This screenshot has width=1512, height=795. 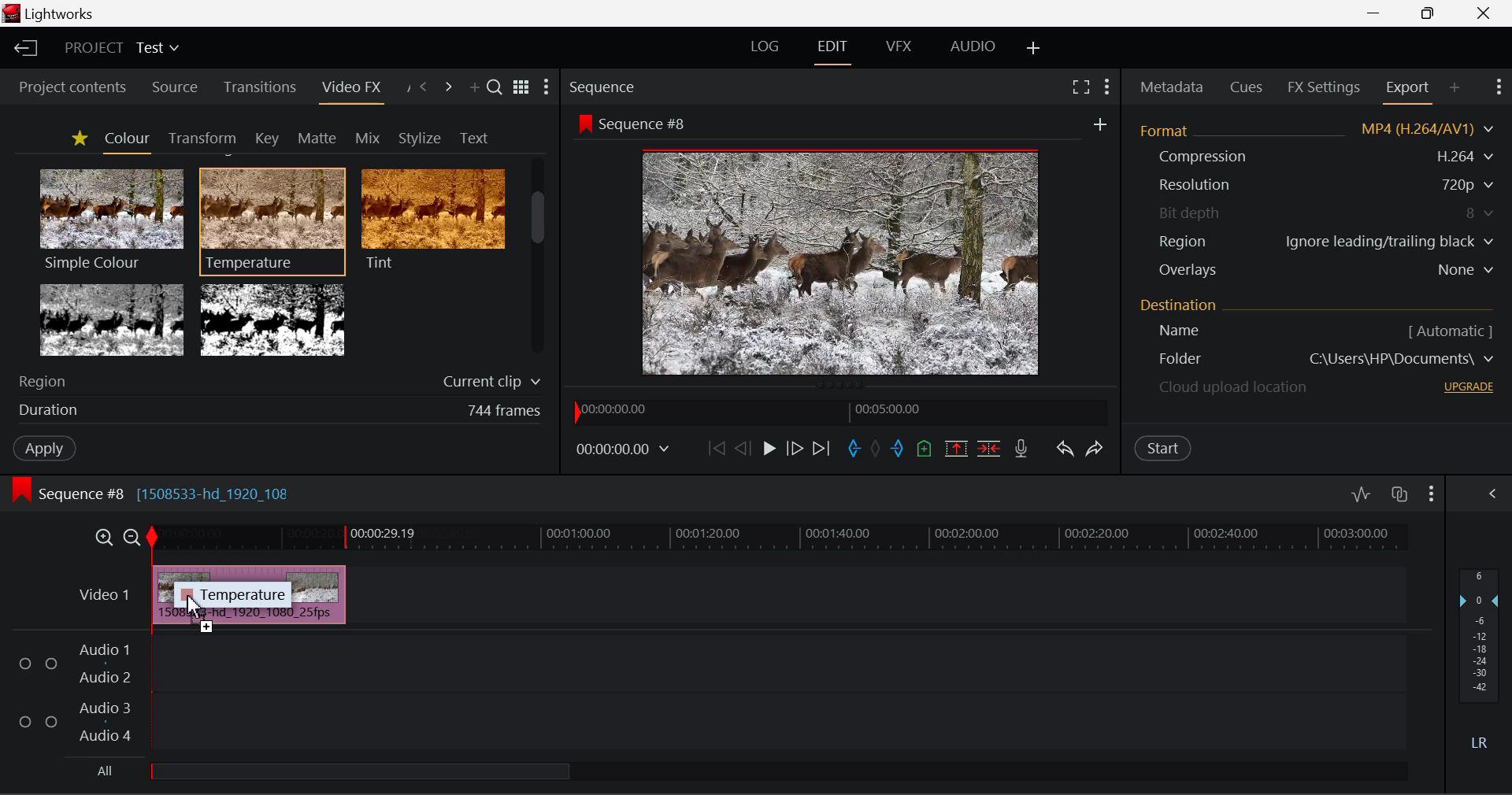 I want to click on Tint, so click(x=432, y=219).